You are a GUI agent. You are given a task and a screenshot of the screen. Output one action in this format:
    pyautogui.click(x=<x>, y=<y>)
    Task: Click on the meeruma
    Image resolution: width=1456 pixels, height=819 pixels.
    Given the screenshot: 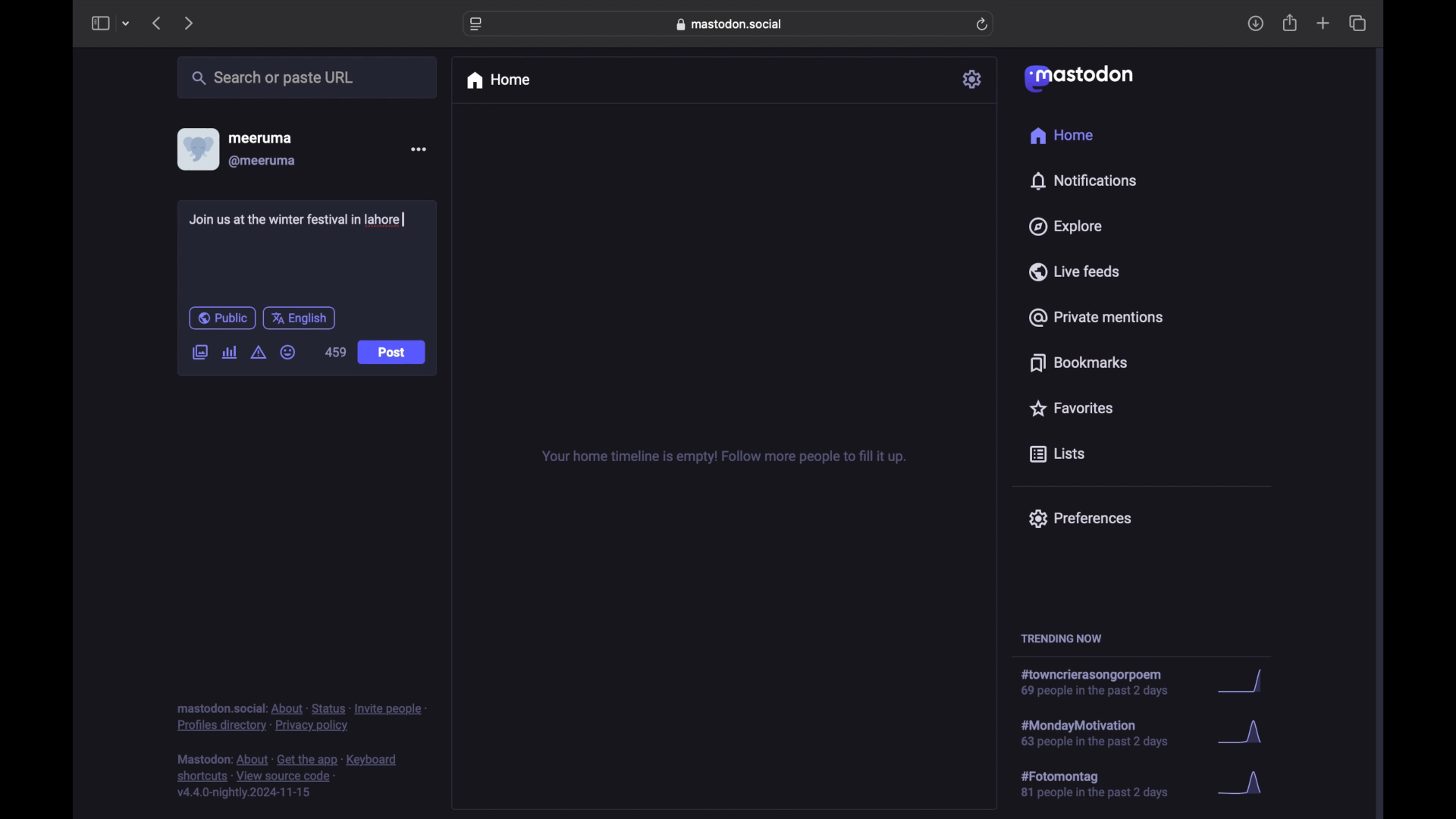 What is the action you would take?
    pyautogui.click(x=260, y=137)
    